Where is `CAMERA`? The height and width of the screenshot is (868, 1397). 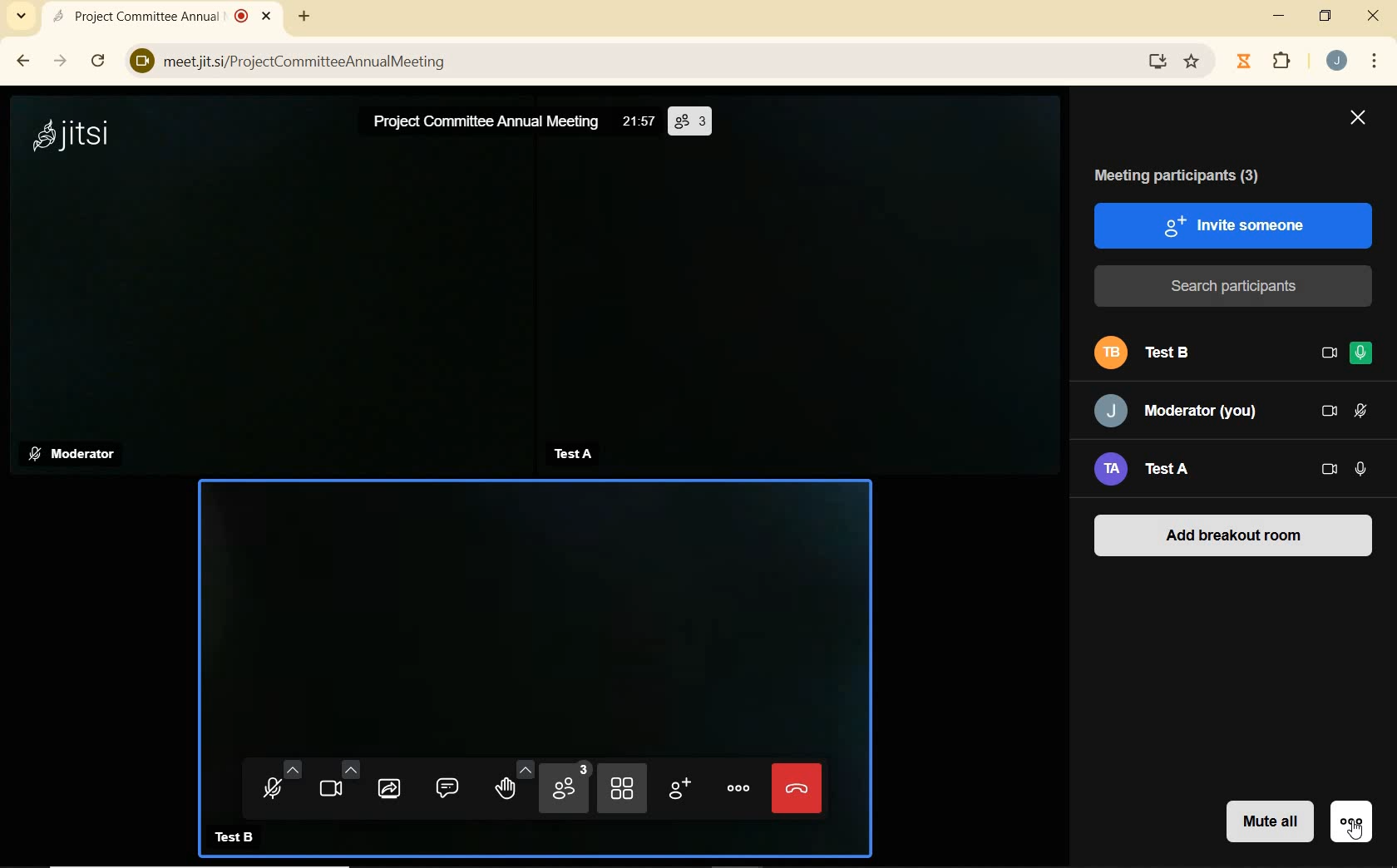 CAMERA is located at coordinates (1330, 471).